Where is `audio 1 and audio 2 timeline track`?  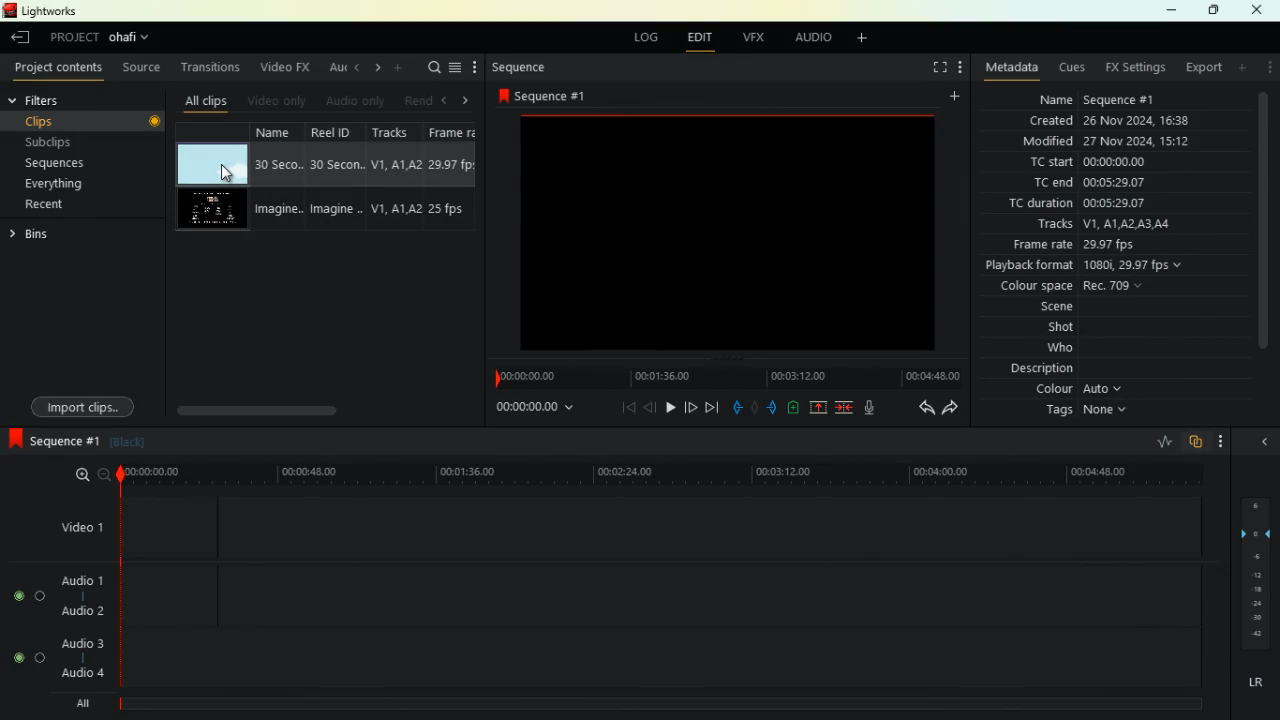
audio 1 and audio 2 timeline track is located at coordinates (670, 599).